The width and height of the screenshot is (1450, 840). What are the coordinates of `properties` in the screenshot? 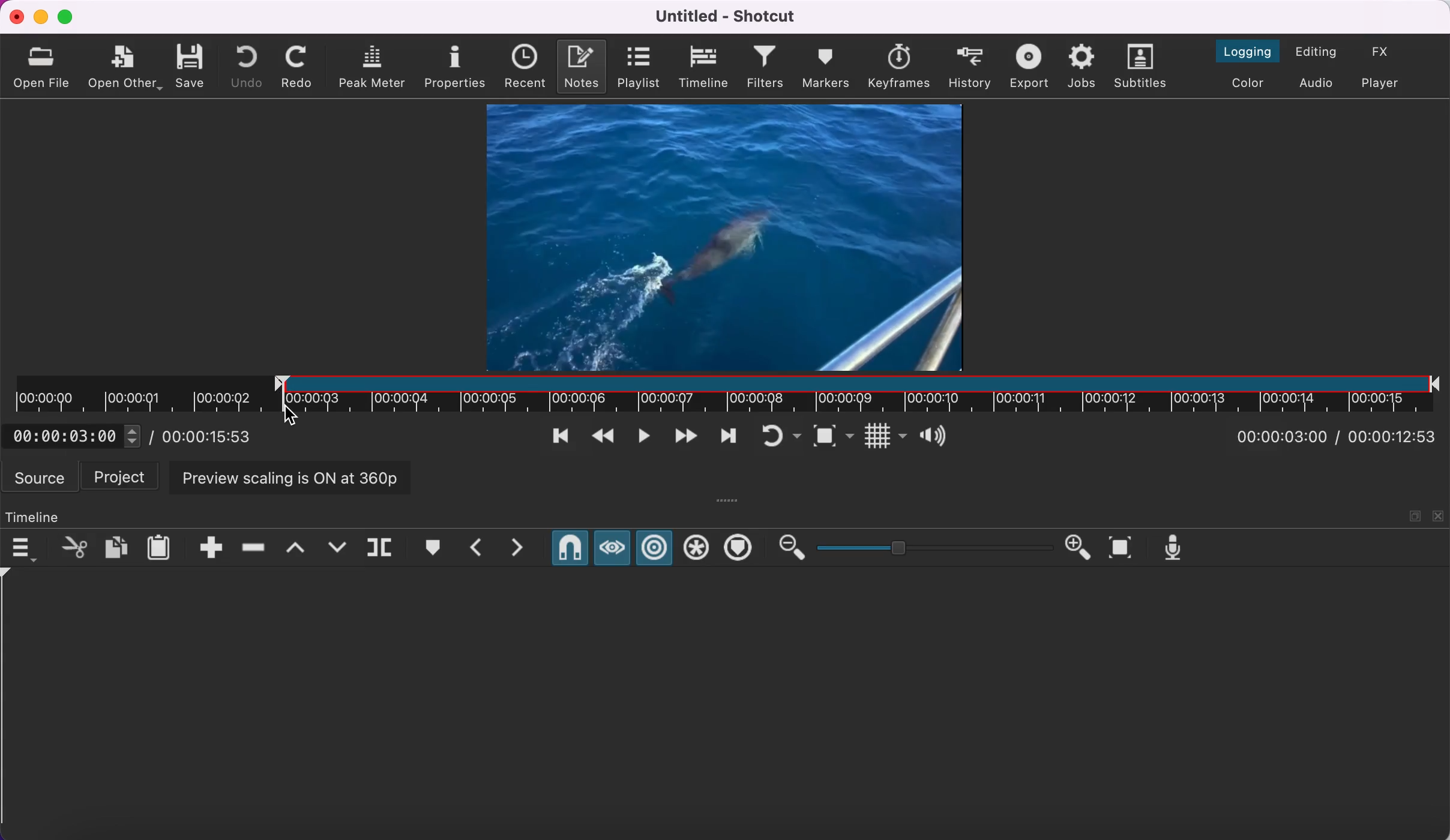 It's located at (456, 65).